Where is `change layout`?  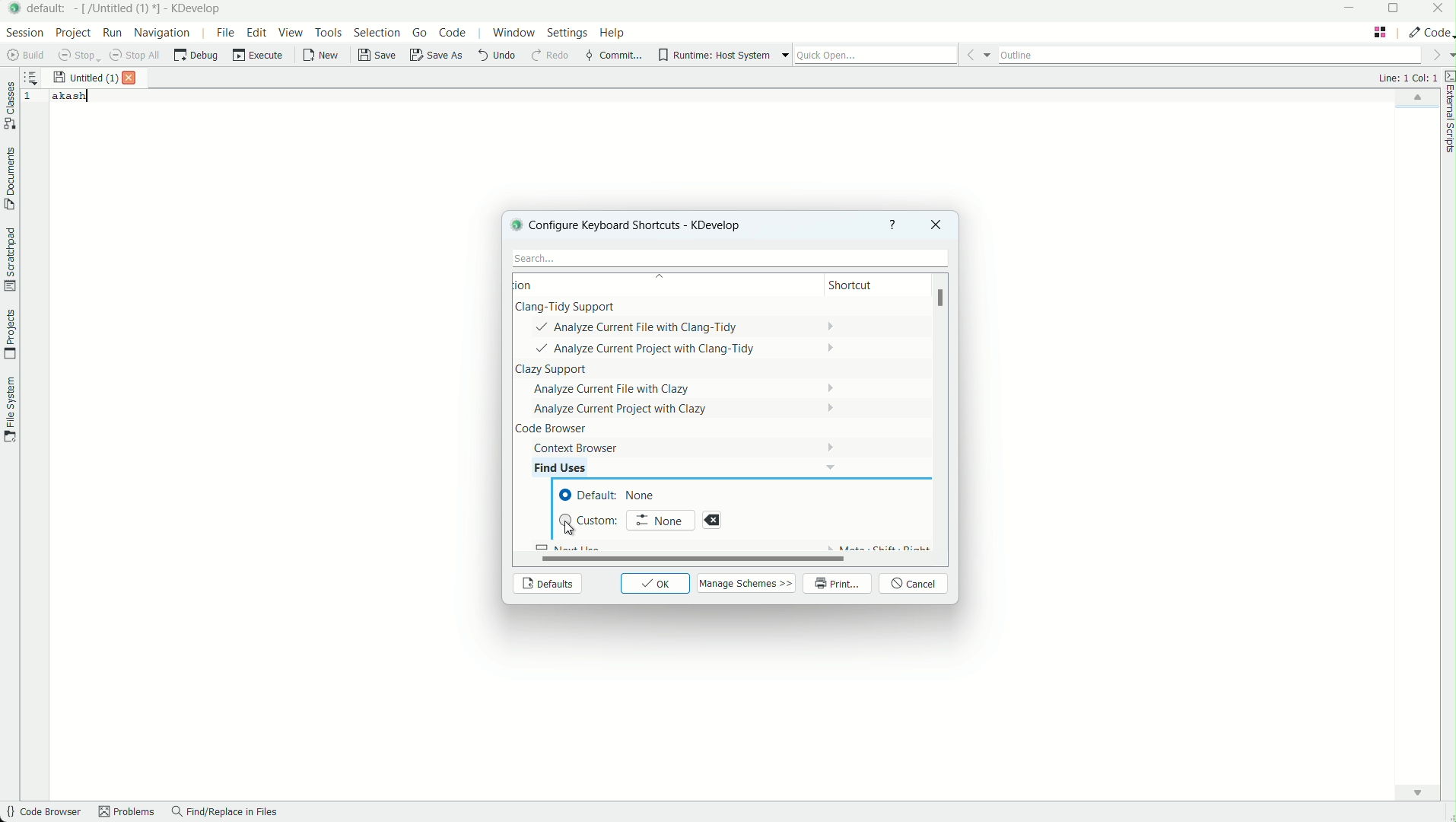
change layout is located at coordinates (1380, 32).